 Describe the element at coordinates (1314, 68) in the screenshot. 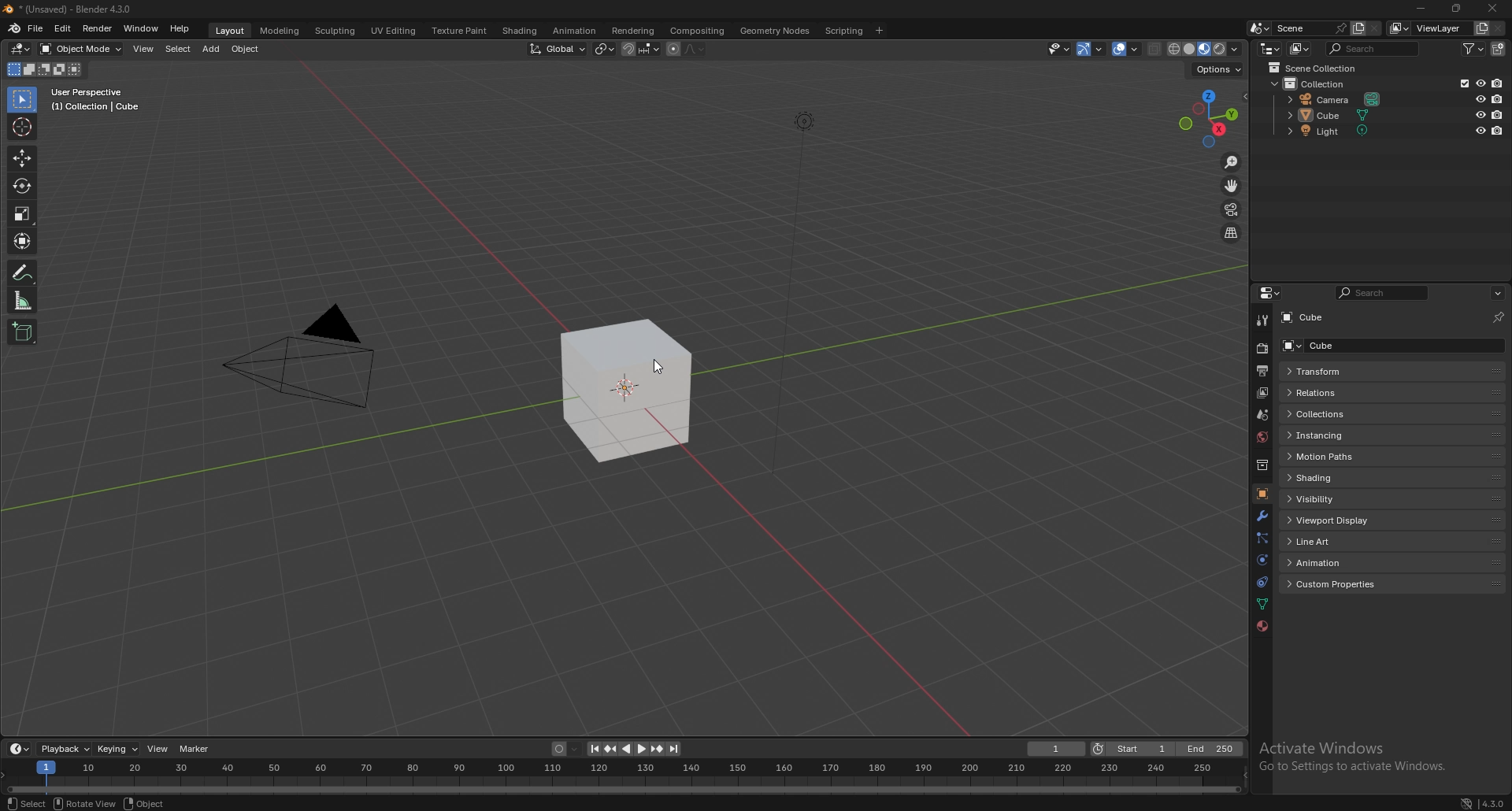

I see `scene collection` at that location.